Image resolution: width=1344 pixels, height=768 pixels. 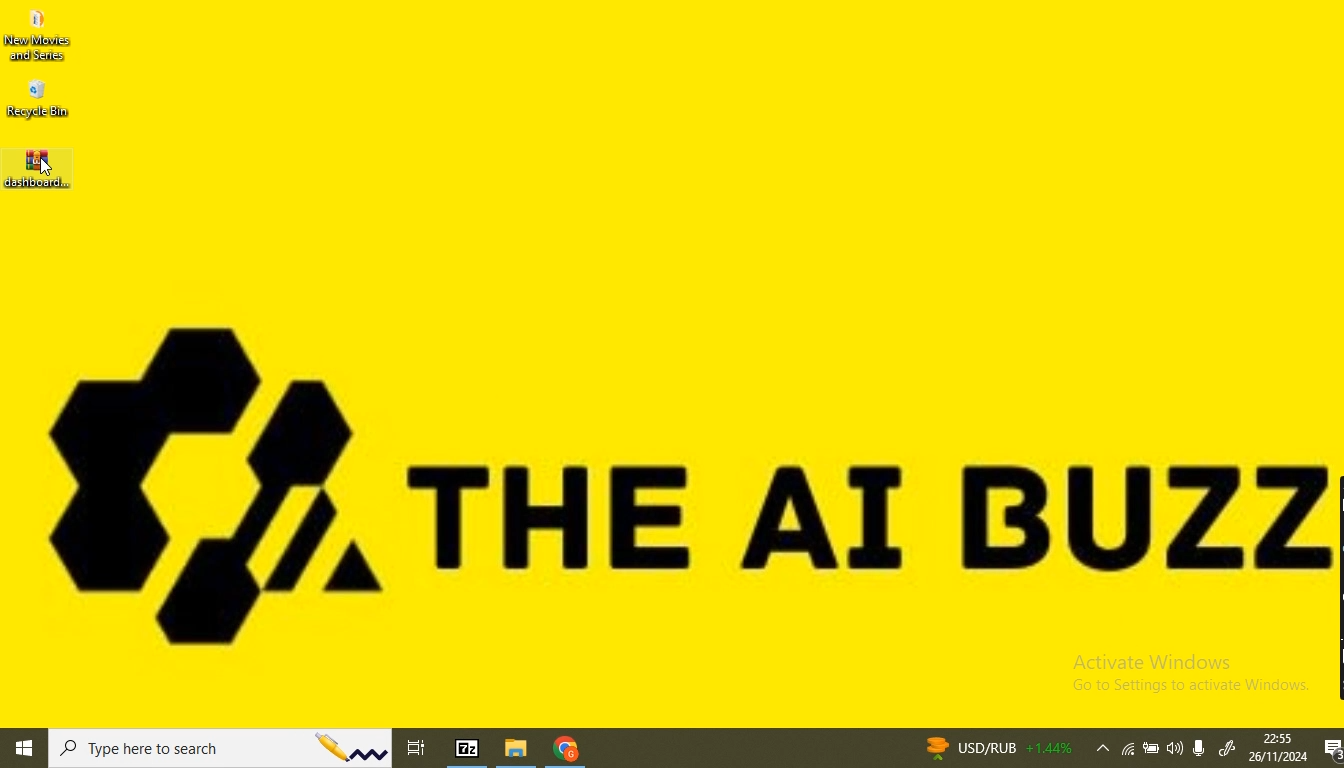 I want to click on show hidden icons, so click(x=1099, y=750).